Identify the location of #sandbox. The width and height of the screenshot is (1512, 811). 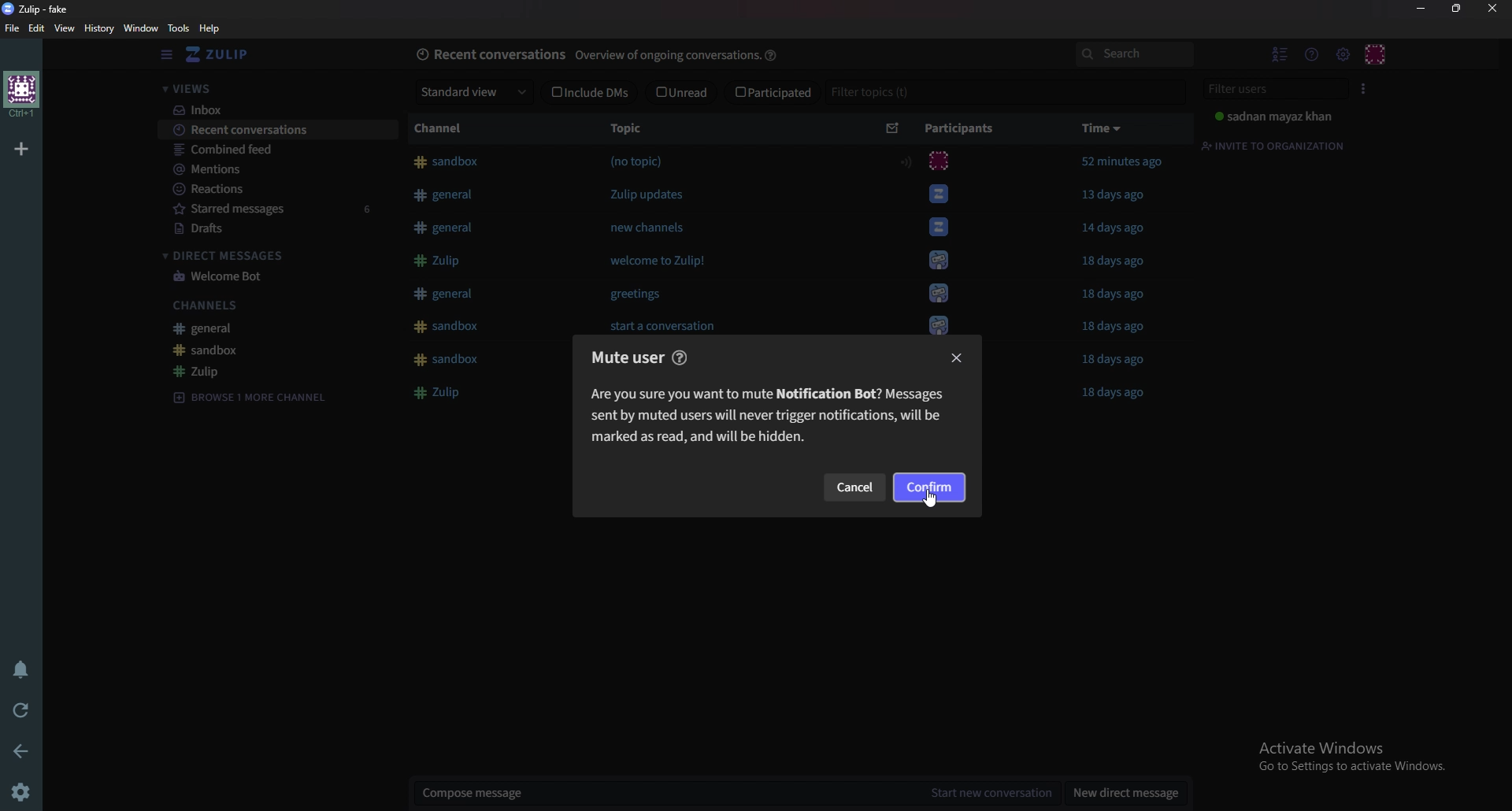
(448, 163).